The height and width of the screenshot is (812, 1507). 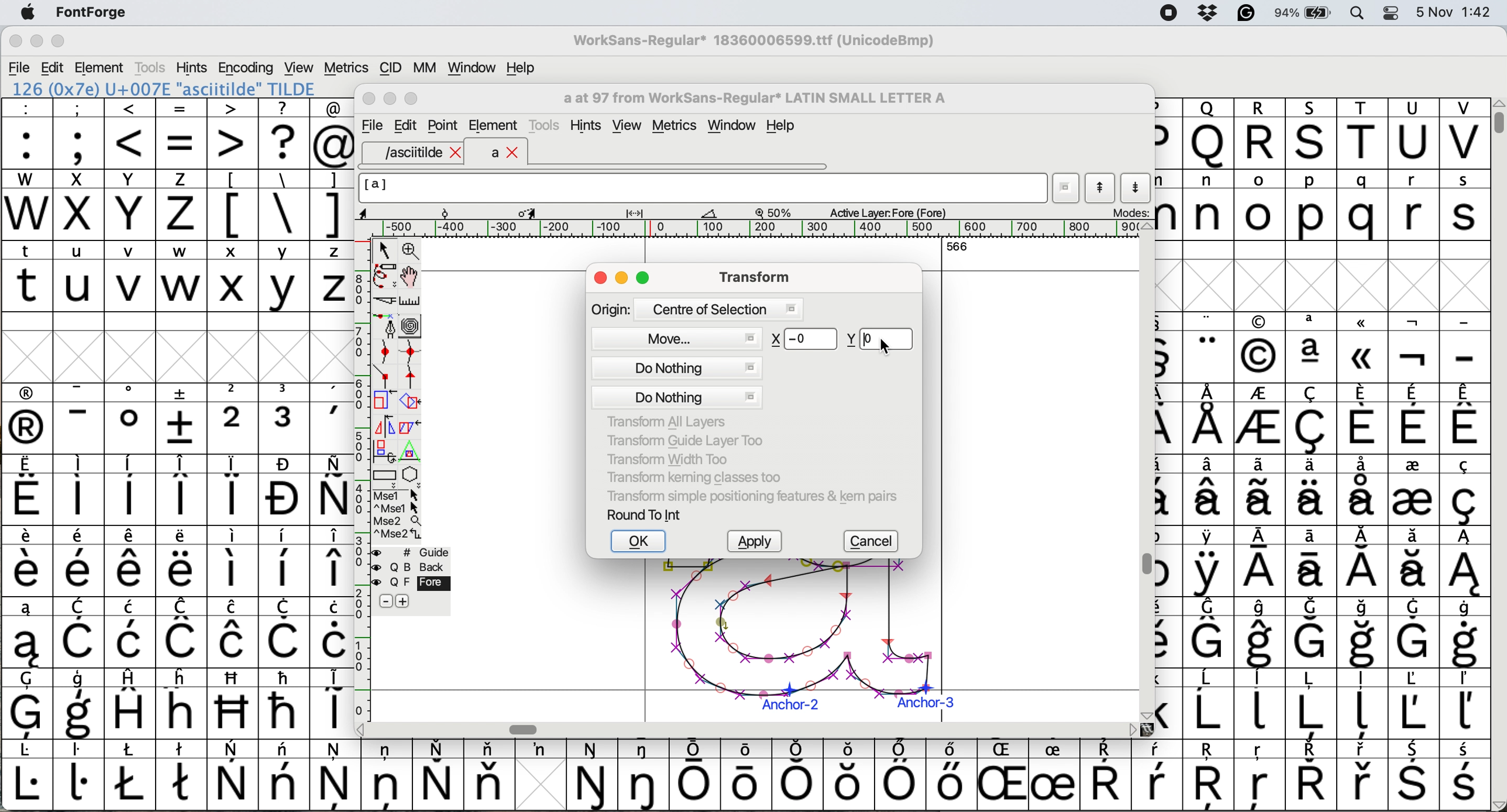 What do you see at coordinates (1133, 729) in the screenshot?
I see `scroll button` at bounding box center [1133, 729].